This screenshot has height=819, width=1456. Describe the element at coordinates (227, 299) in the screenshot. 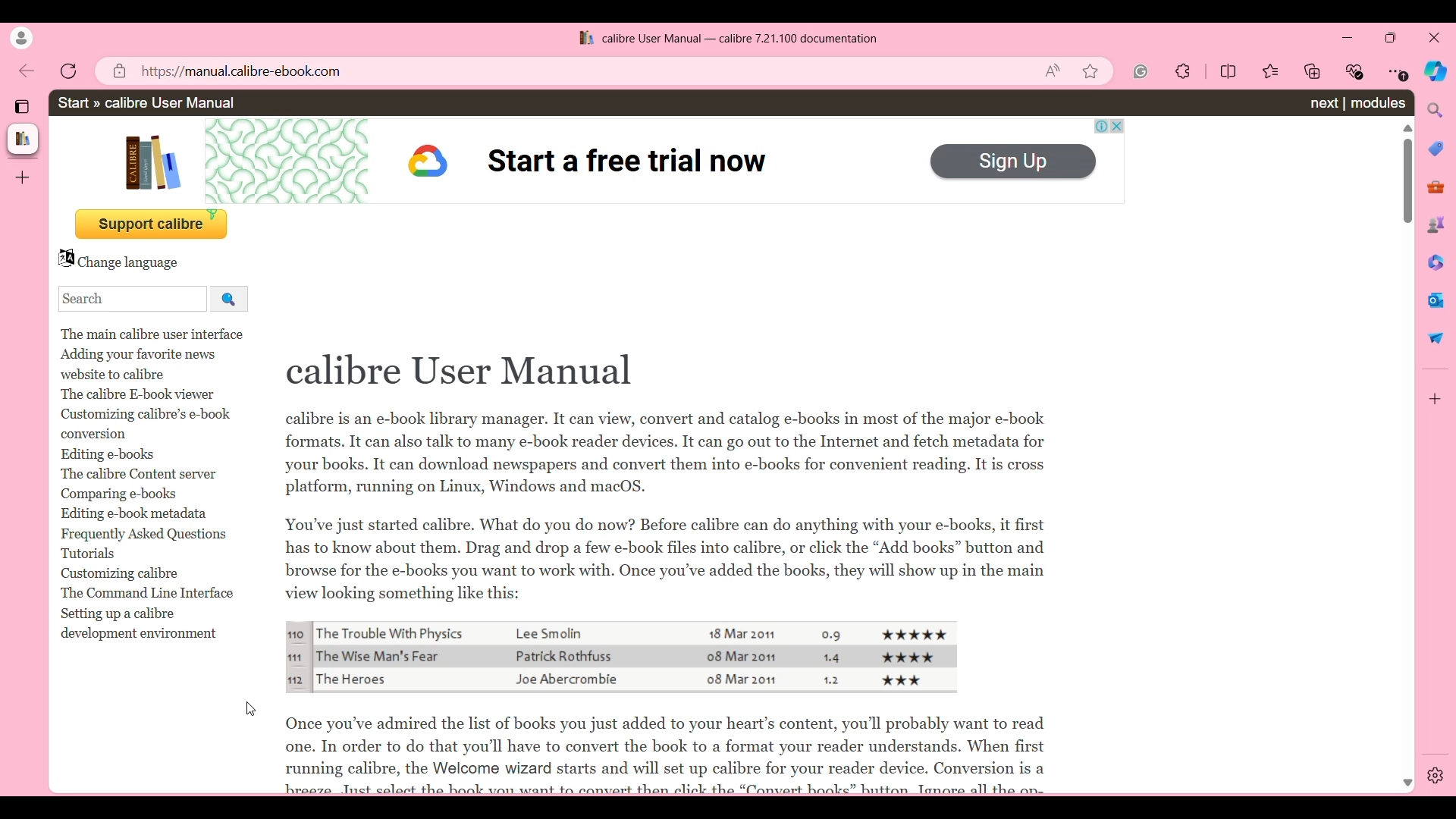

I see `Search` at that location.